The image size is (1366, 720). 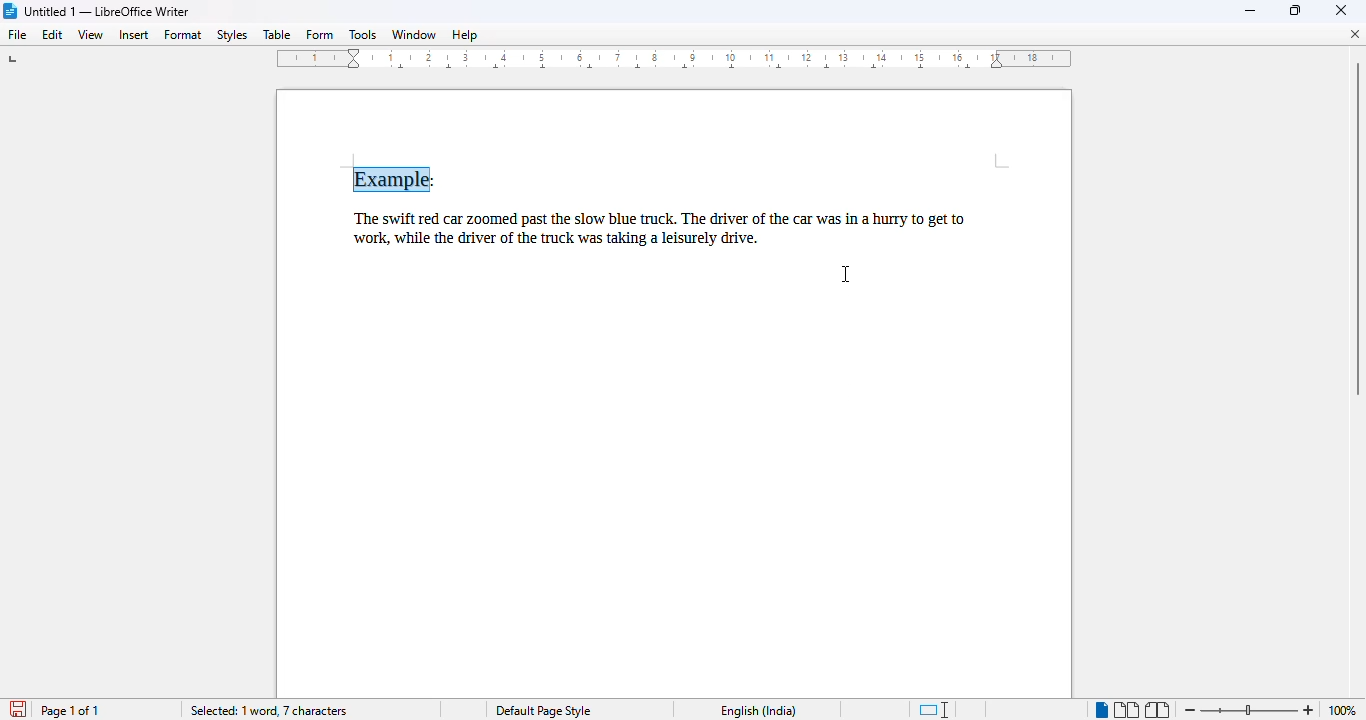 What do you see at coordinates (1356, 34) in the screenshot?
I see `close document` at bounding box center [1356, 34].